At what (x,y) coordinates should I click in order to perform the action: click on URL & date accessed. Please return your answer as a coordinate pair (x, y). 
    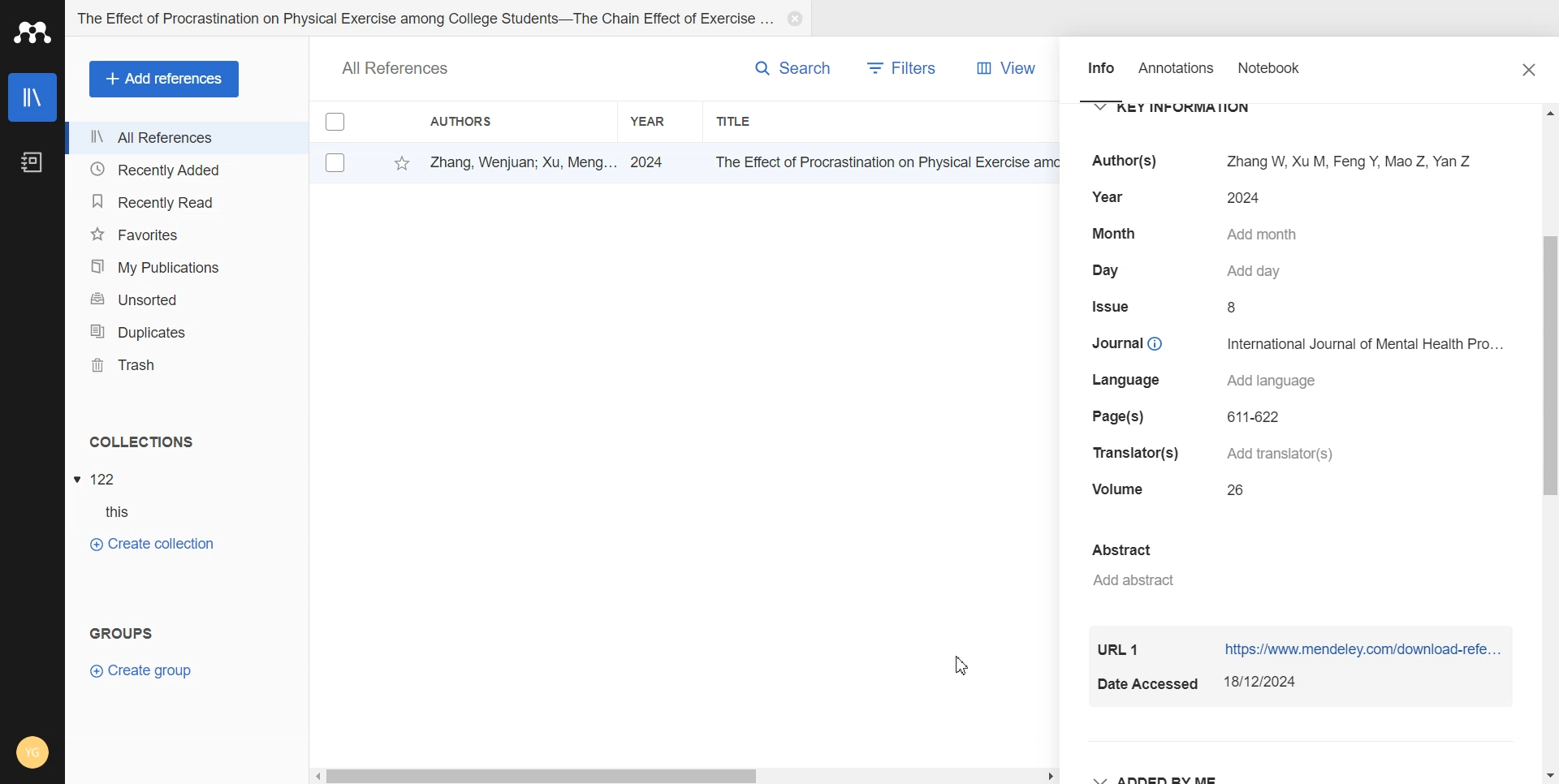
    Looking at the image, I should click on (1306, 670).